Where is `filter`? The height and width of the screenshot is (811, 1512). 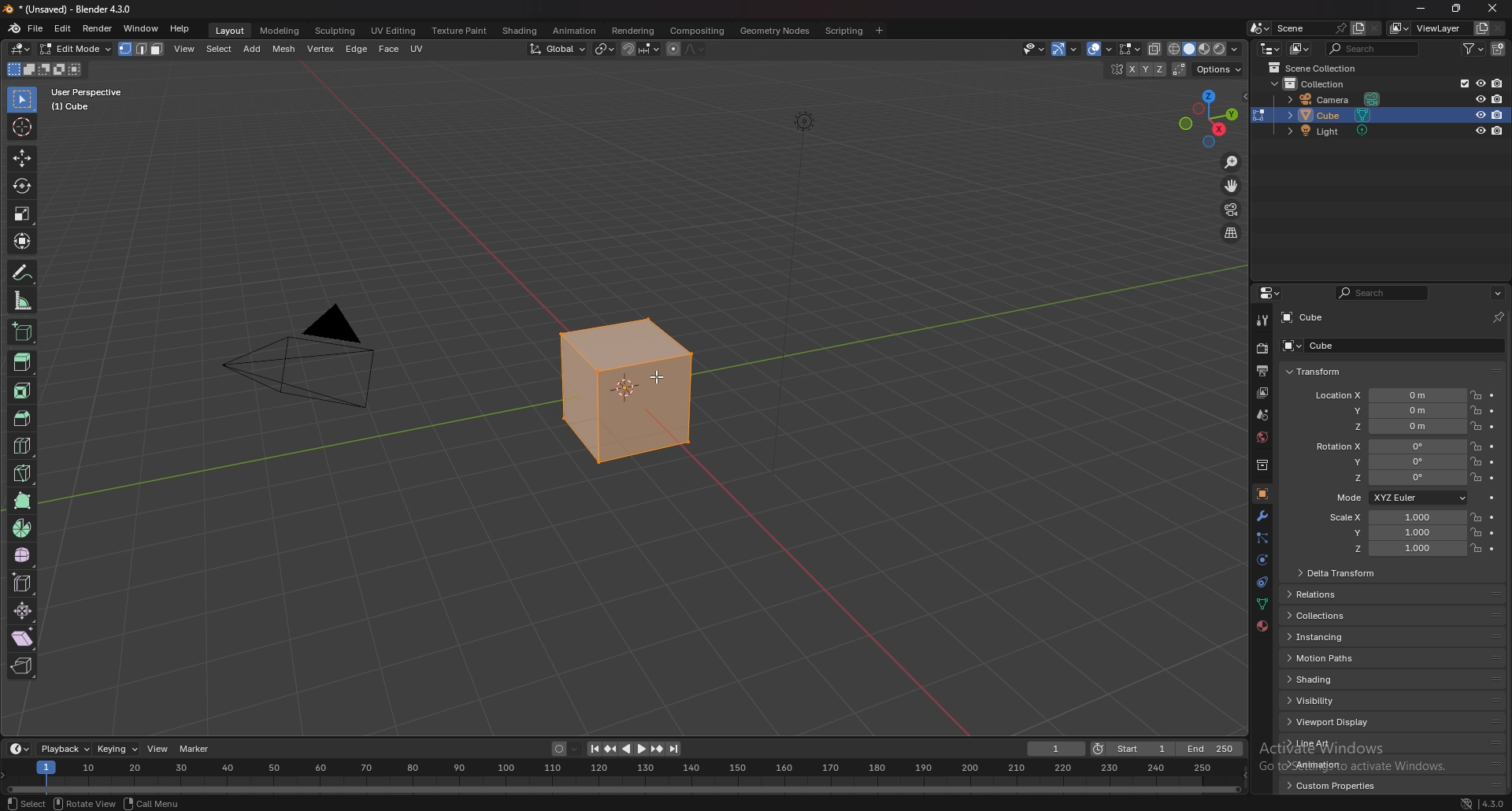 filter is located at coordinates (1475, 48).